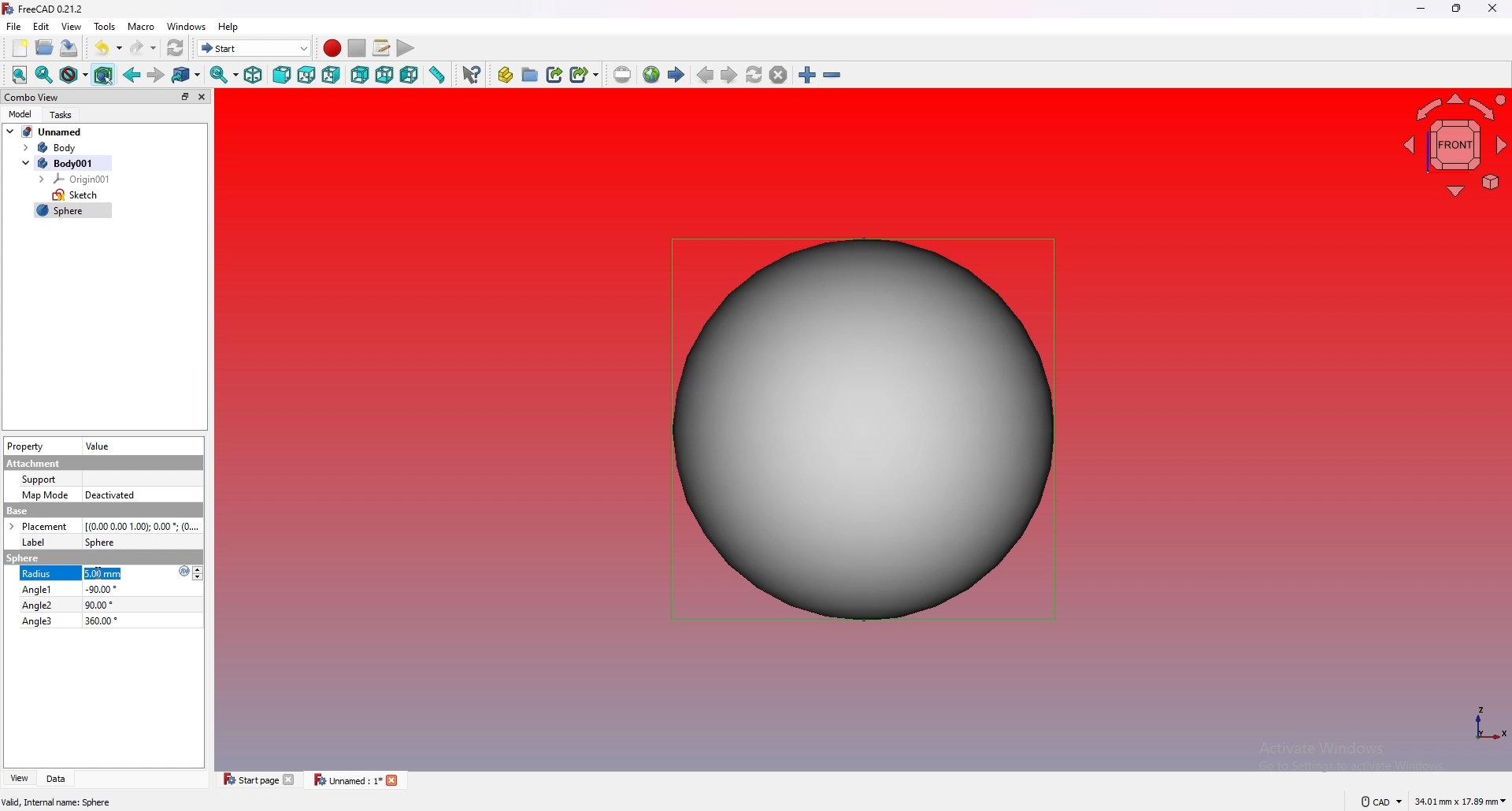 The width and height of the screenshot is (1512, 811). I want to click on tab 1, so click(255, 779).